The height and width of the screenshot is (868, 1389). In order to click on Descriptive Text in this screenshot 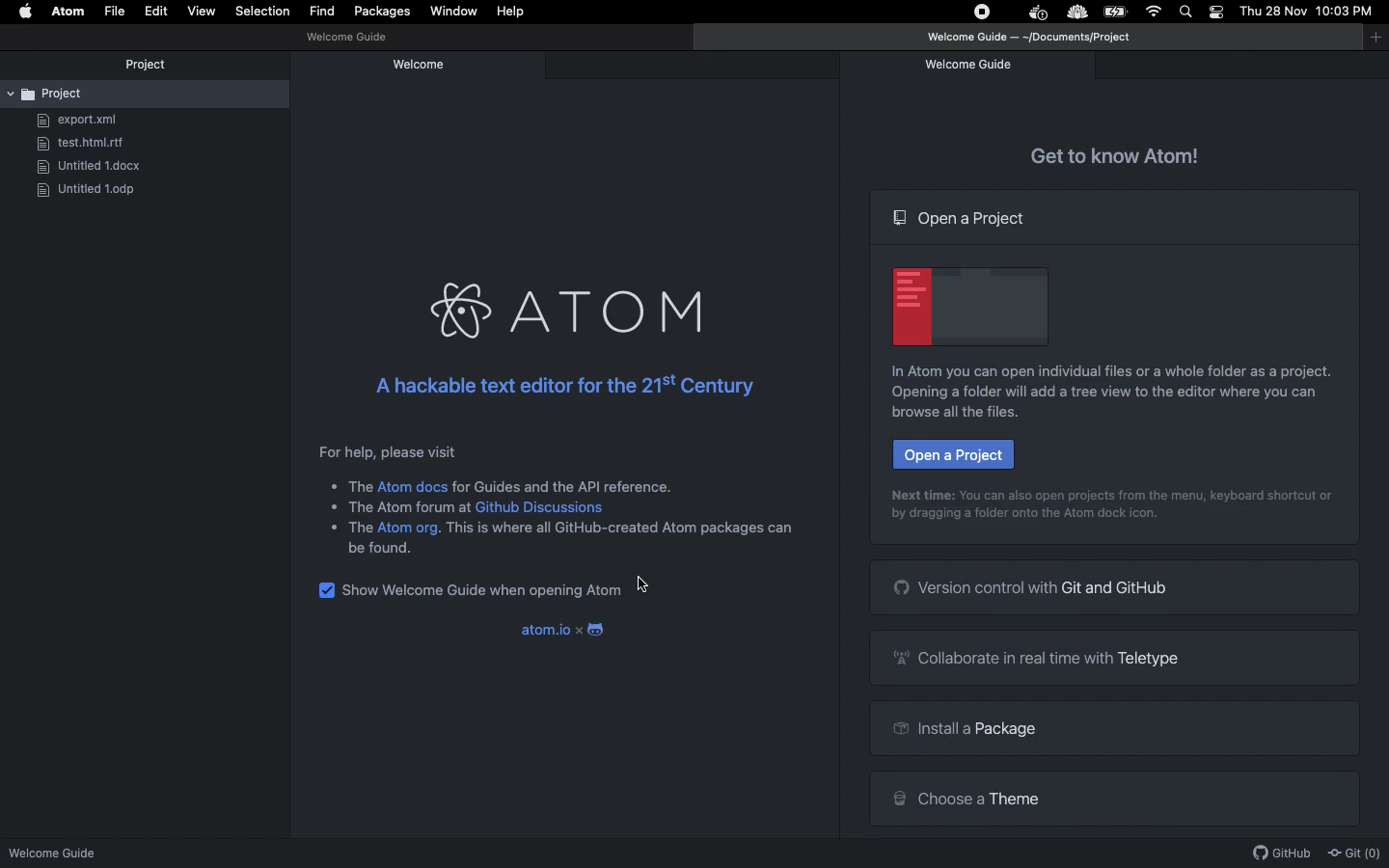, I will do `click(567, 482)`.